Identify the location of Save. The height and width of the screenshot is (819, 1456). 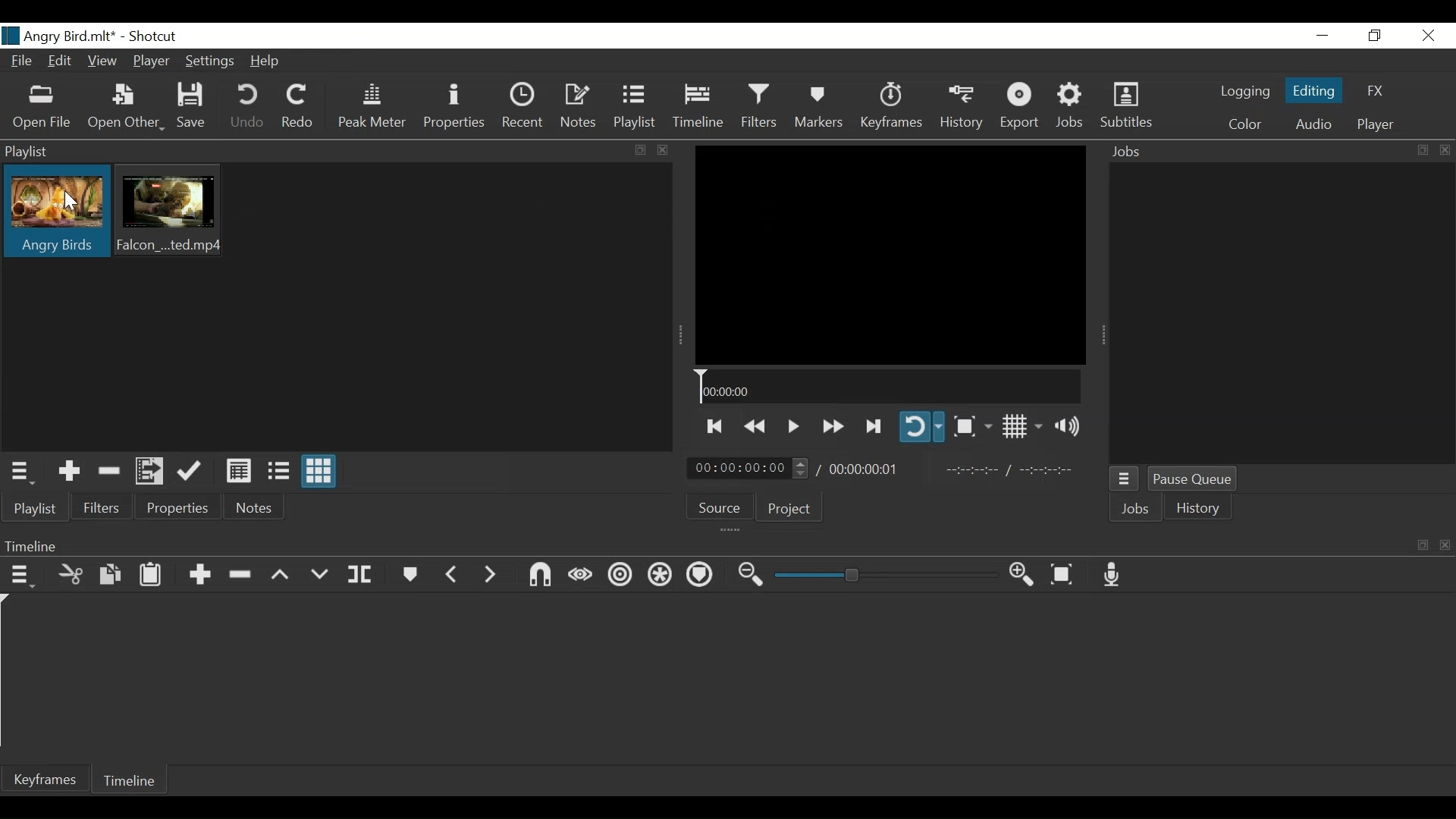
(196, 108).